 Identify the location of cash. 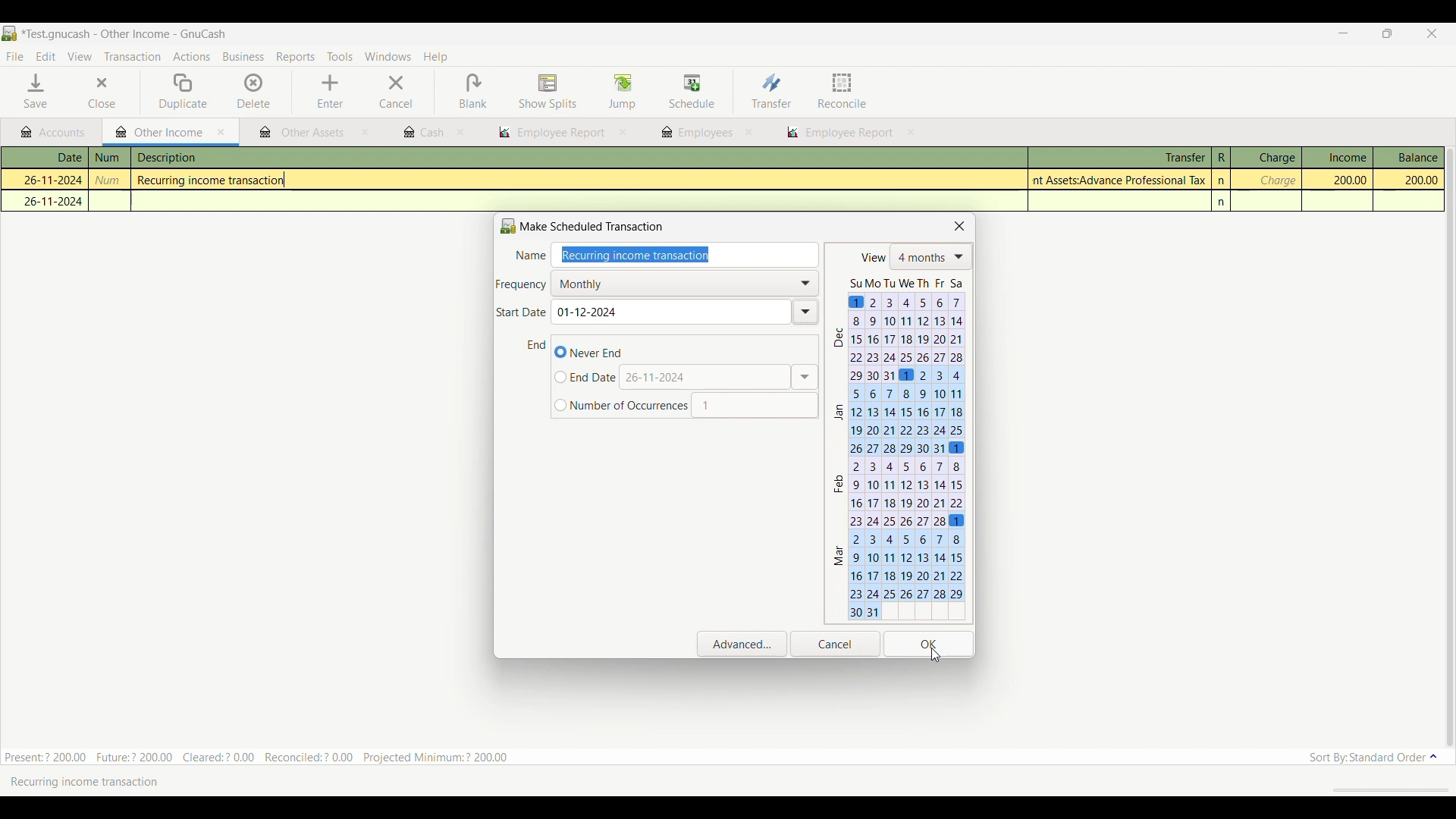
(422, 133).